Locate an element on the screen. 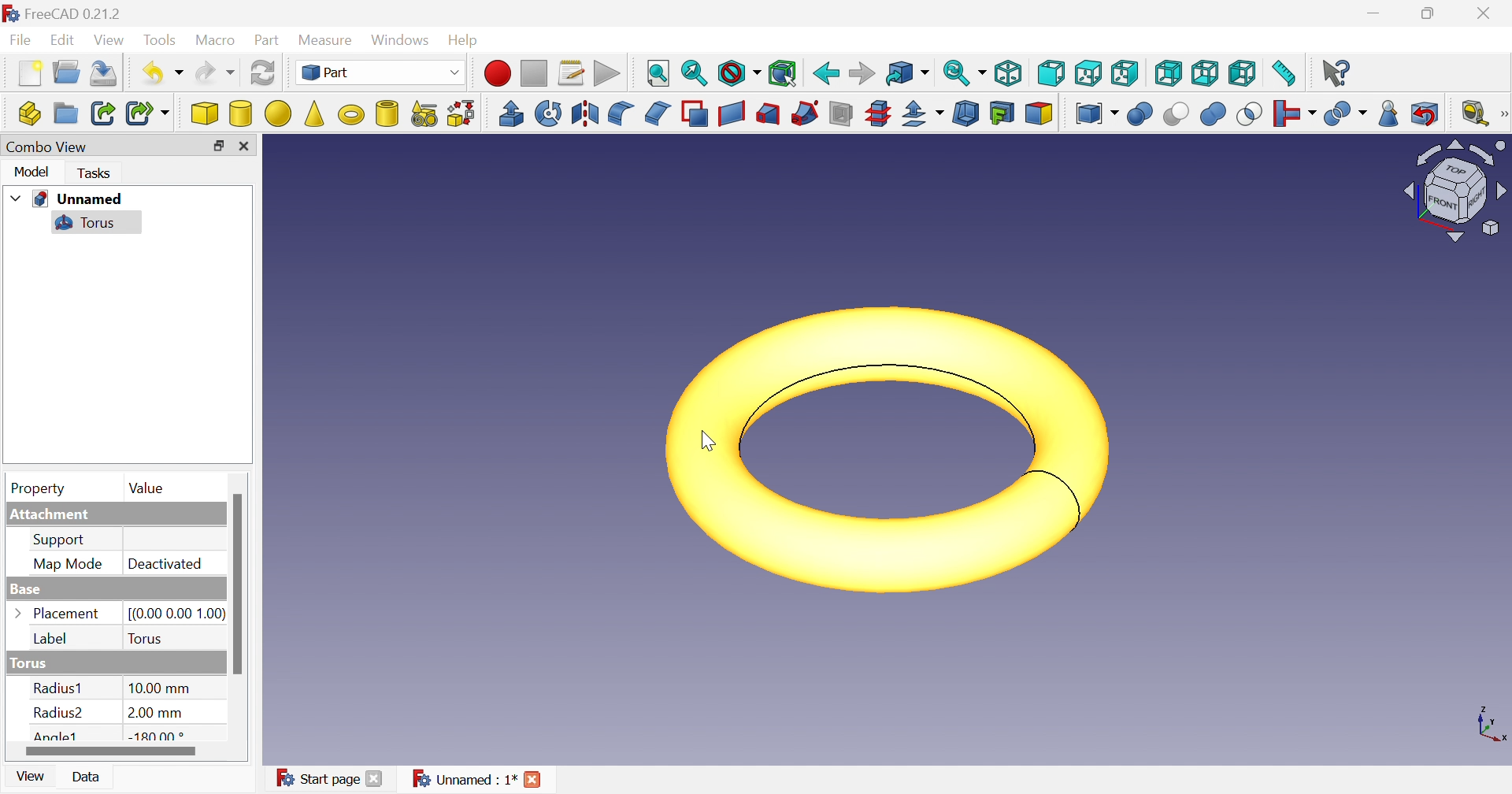 The width and height of the screenshot is (1512, 794). Go to linked object is located at coordinates (905, 74).